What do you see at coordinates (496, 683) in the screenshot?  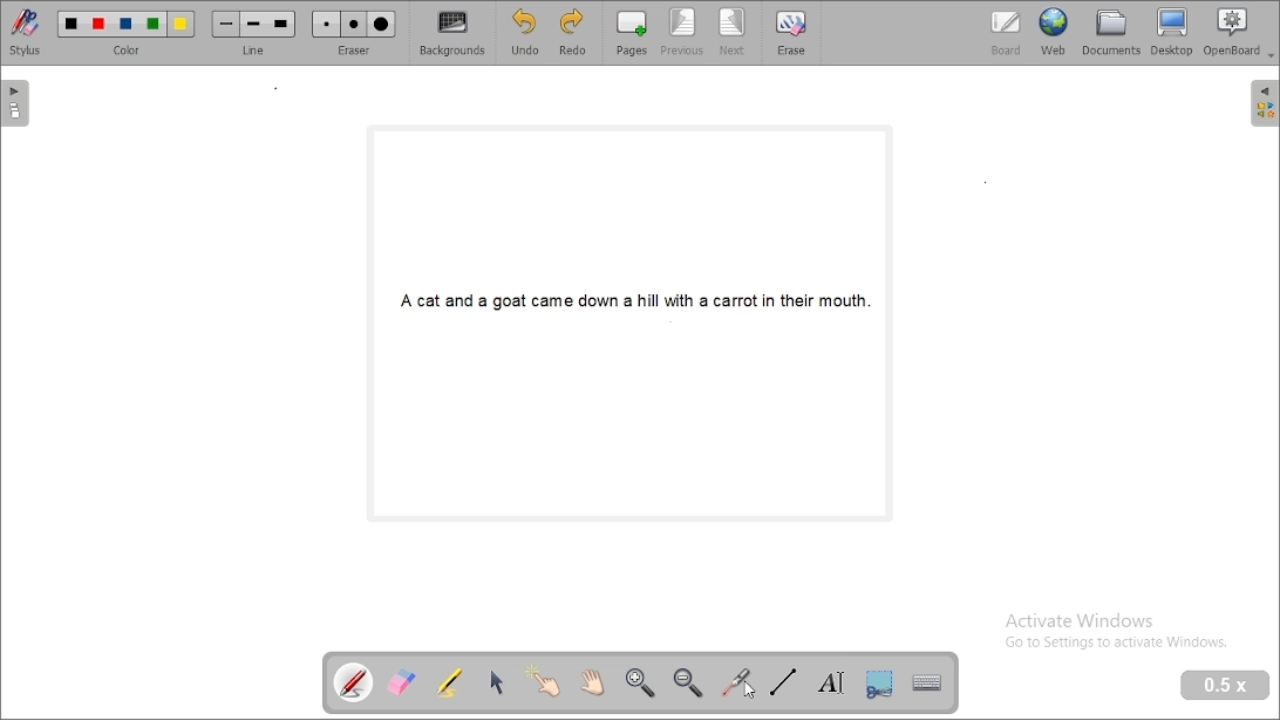 I see `select and modify objects` at bounding box center [496, 683].